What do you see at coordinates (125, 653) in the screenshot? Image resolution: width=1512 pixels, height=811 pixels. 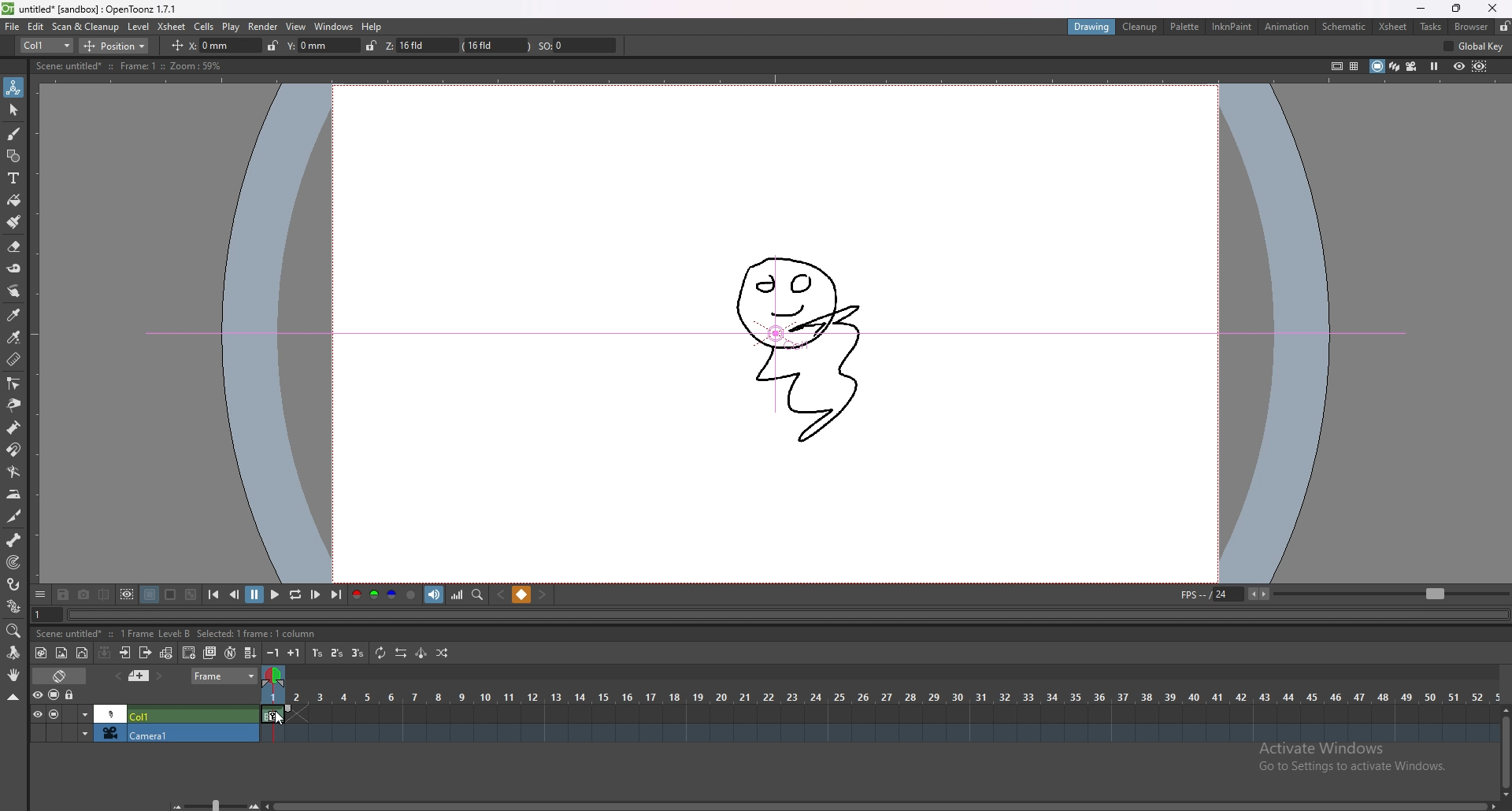 I see `open sub xsheet` at bounding box center [125, 653].